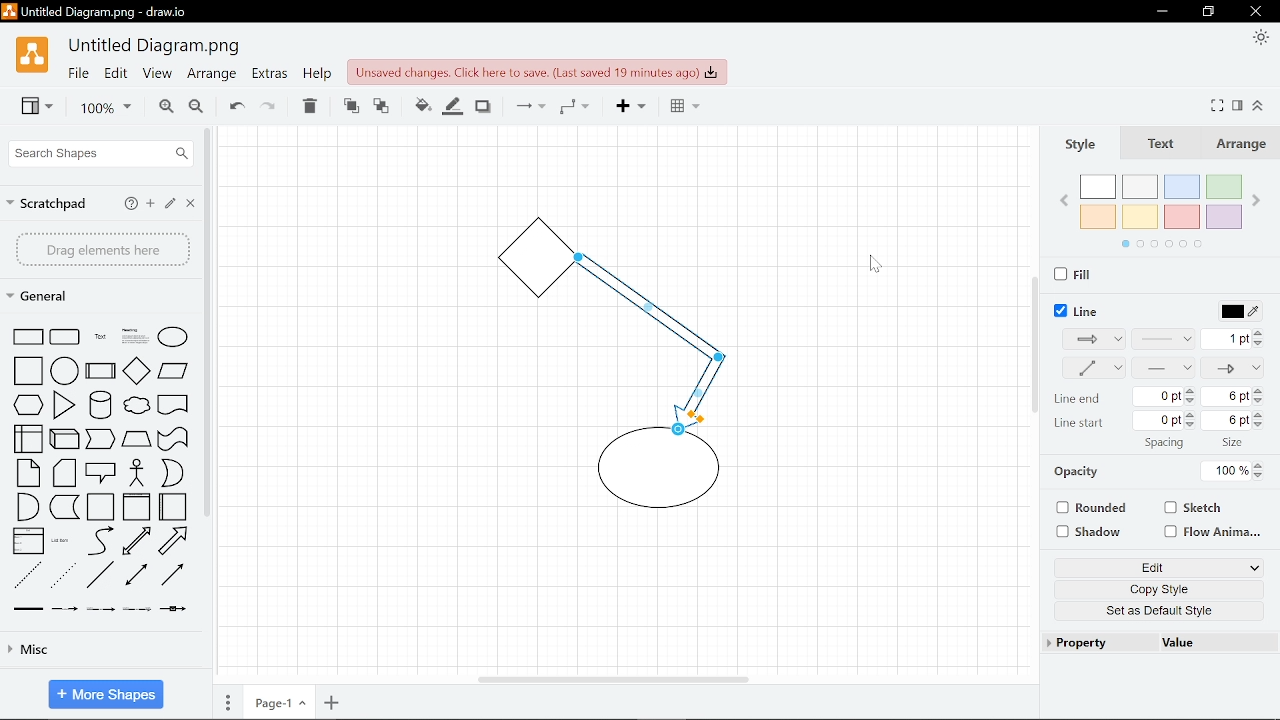 The height and width of the screenshot is (720, 1280). Describe the element at coordinates (156, 76) in the screenshot. I see `View` at that location.